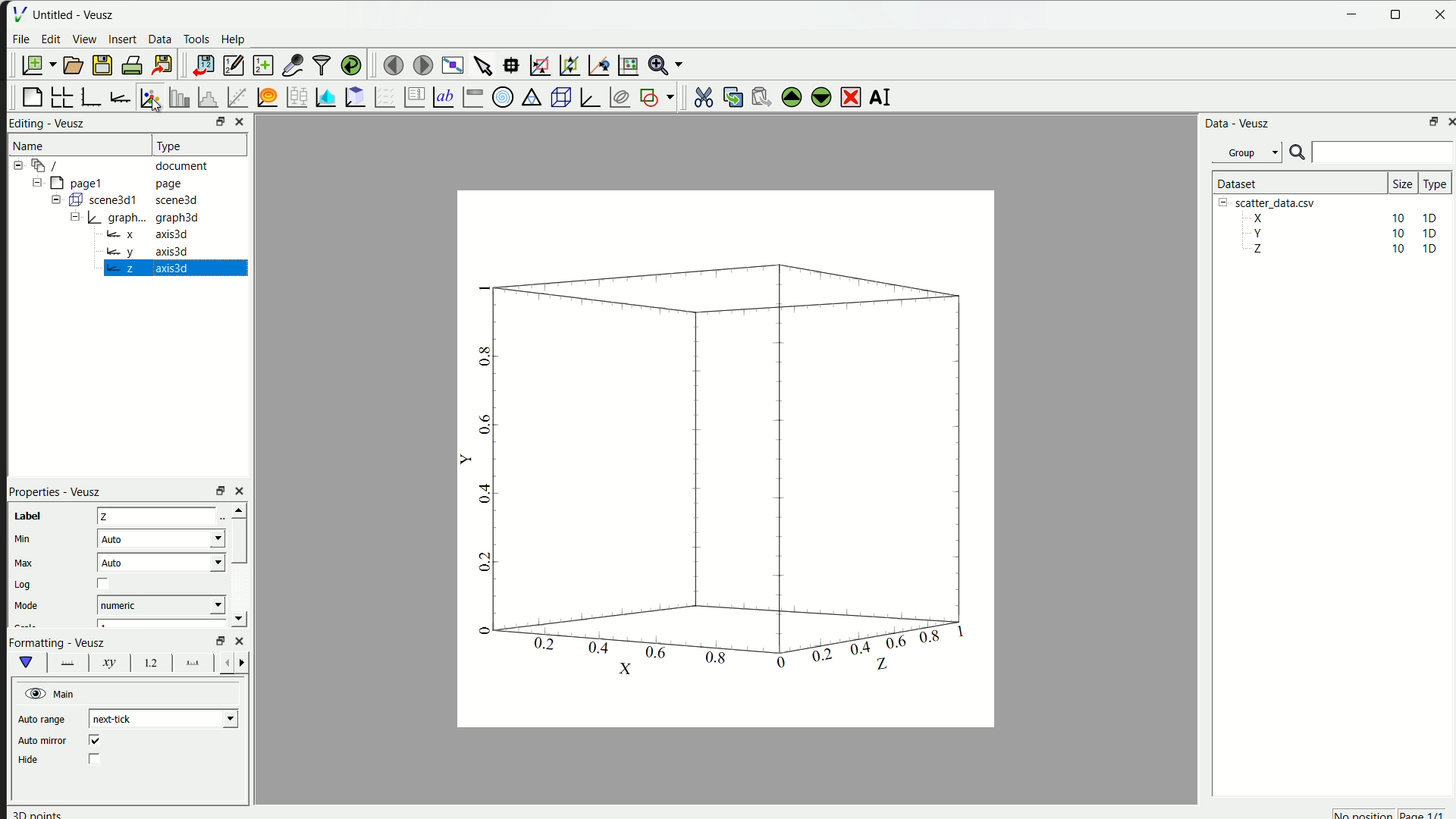 The image size is (1456, 819). What do you see at coordinates (236, 96) in the screenshot?
I see `fit function to data` at bounding box center [236, 96].